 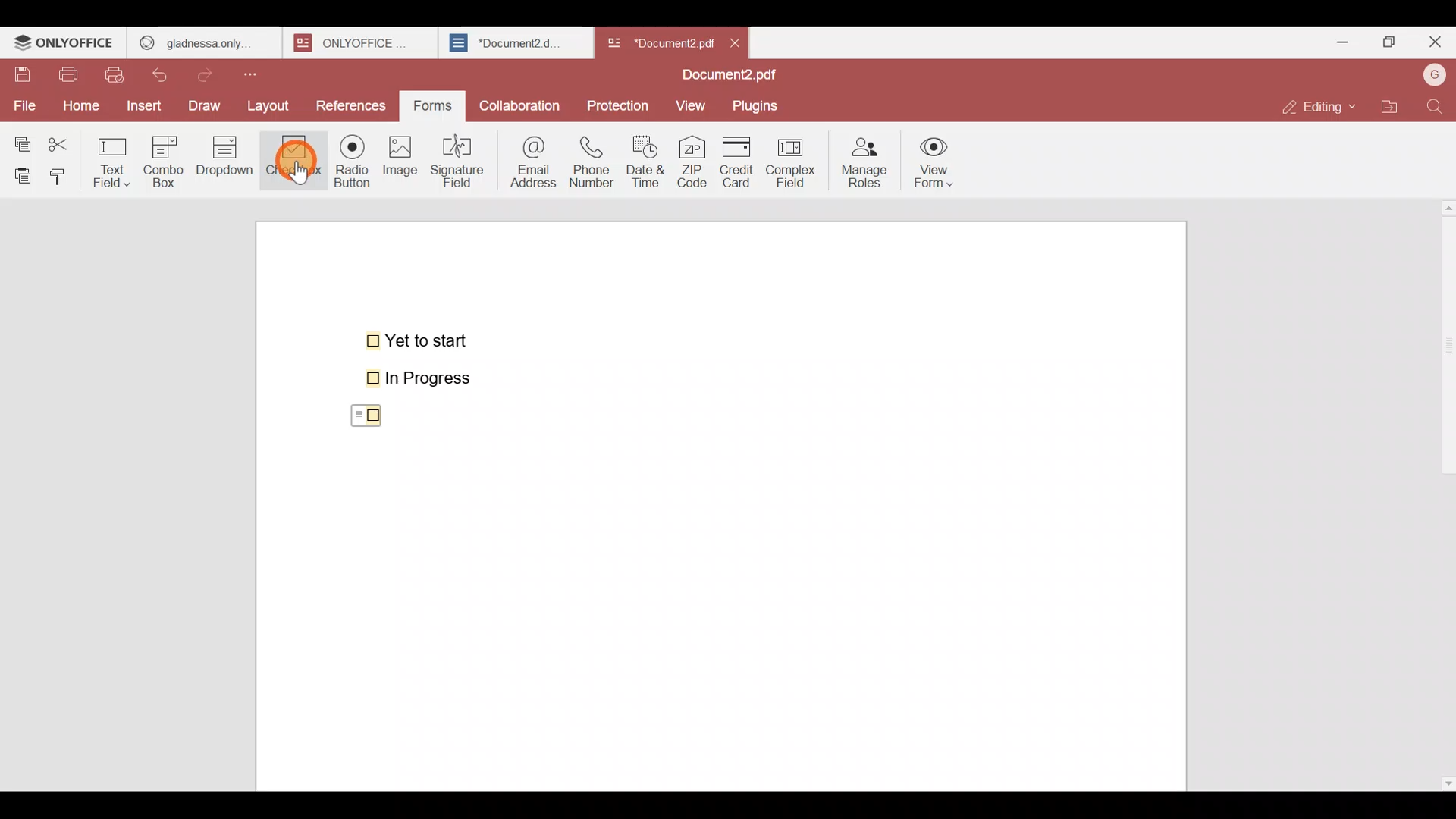 What do you see at coordinates (163, 159) in the screenshot?
I see `Combo box` at bounding box center [163, 159].